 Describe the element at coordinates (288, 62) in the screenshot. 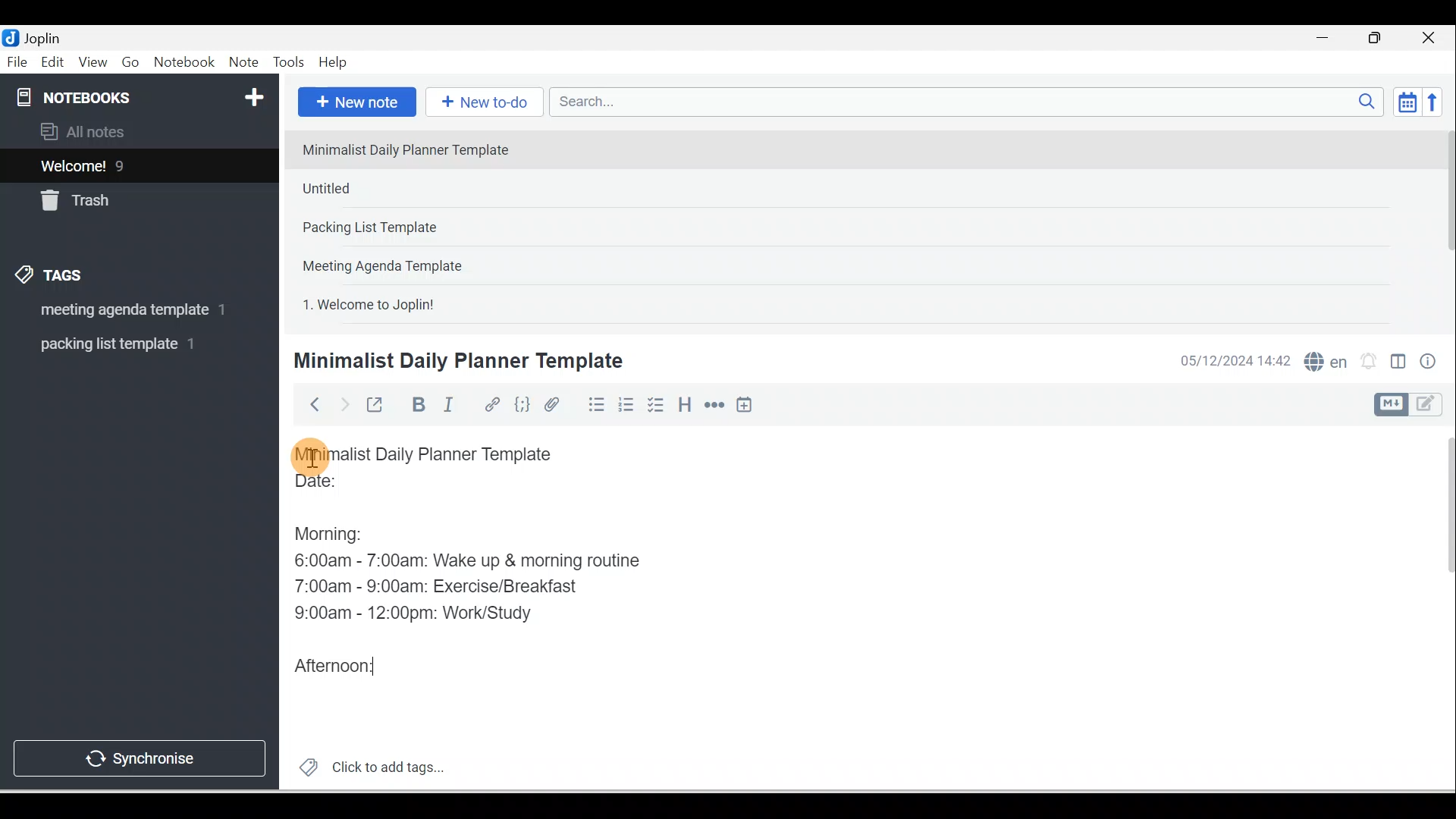

I see `Tools` at that location.